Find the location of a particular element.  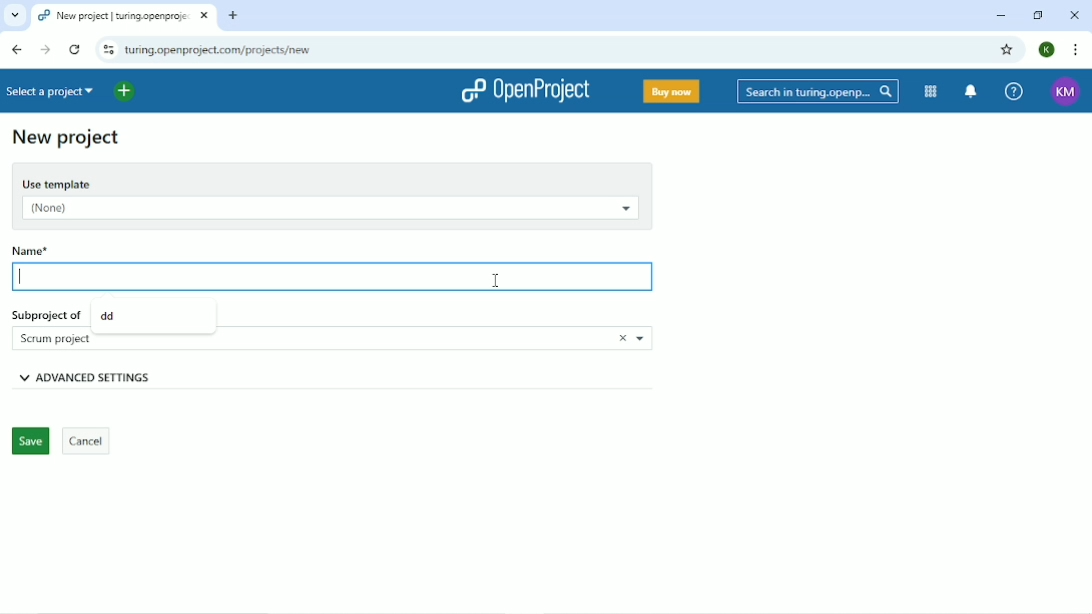

Search in turing.openproject is located at coordinates (816, 91).